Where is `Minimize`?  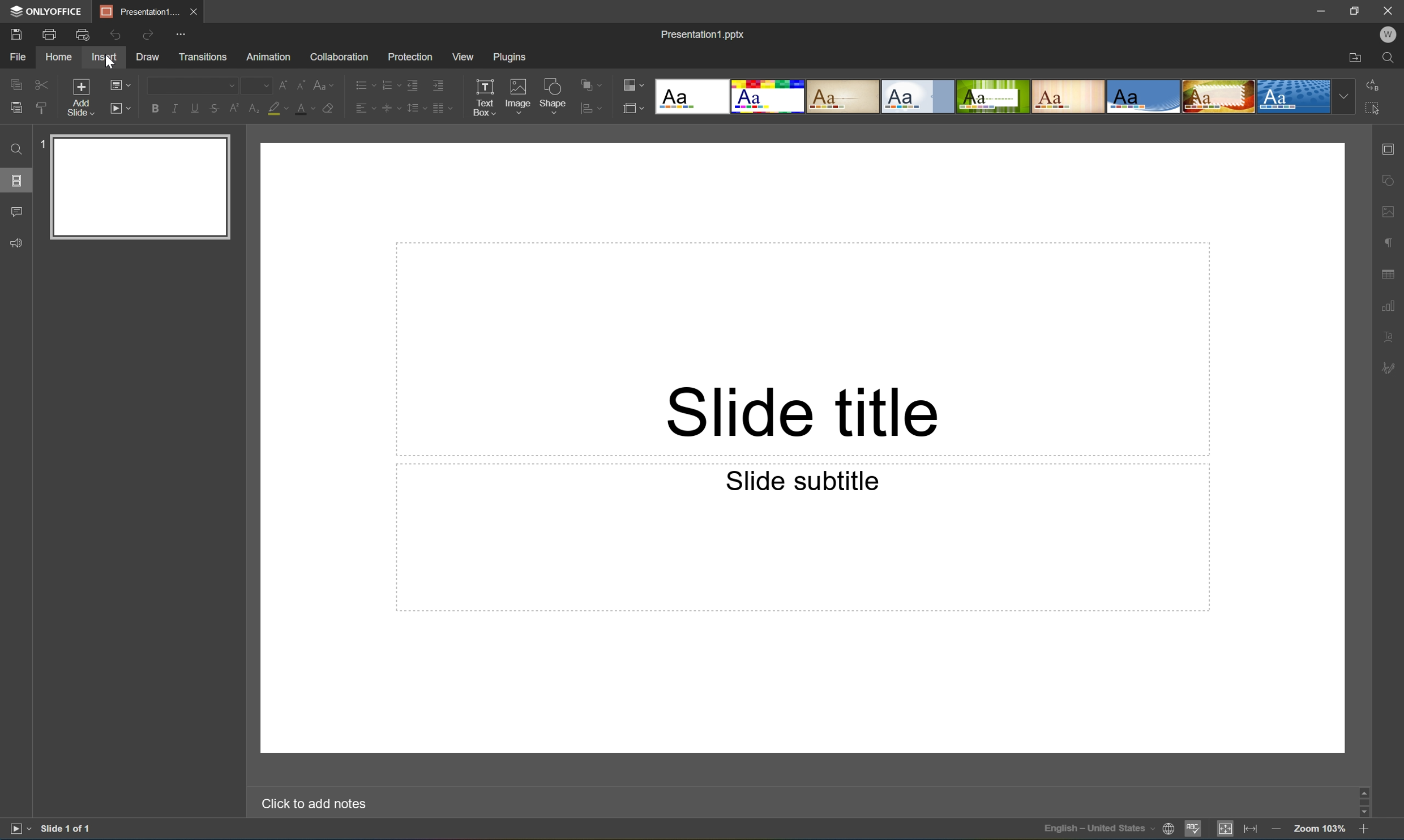 Minimize is located at coordinates (1321, 9).